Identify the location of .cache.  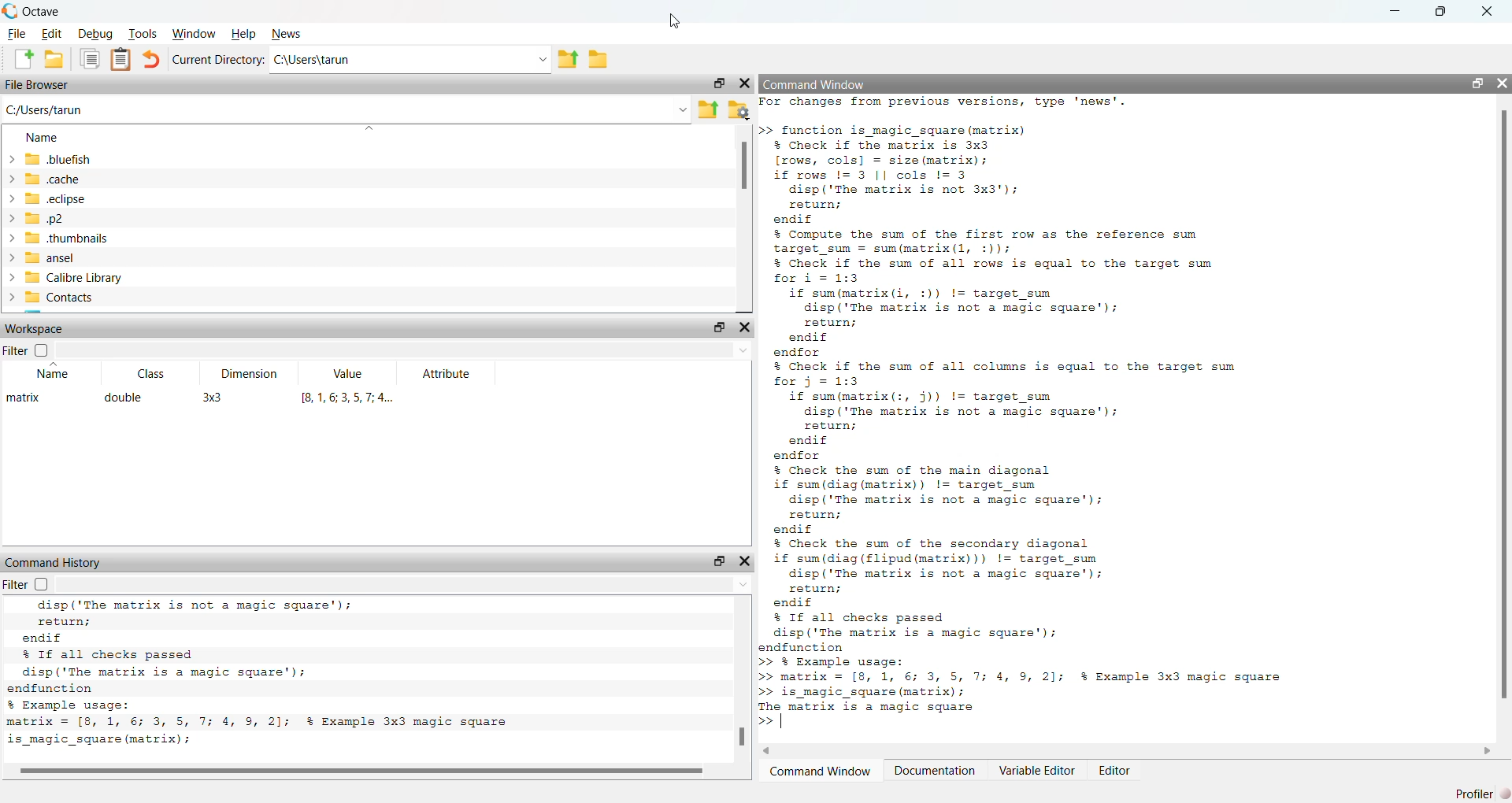
(43, 178).